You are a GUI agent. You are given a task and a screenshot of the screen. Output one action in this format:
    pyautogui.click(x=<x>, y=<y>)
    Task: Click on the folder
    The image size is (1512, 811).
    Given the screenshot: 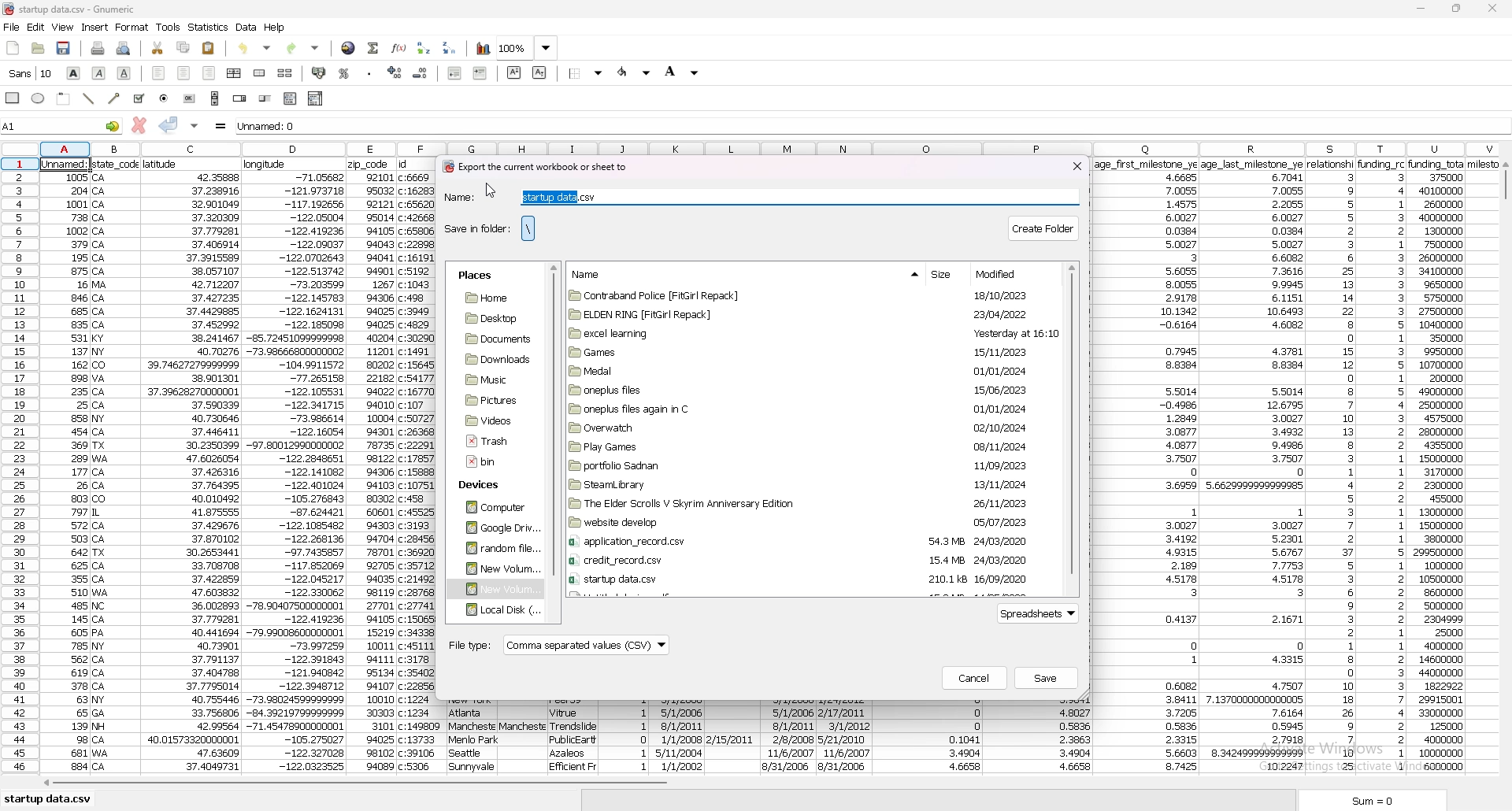 What is the action you would take?
    pyautogui.click(x=807, y=409)
    